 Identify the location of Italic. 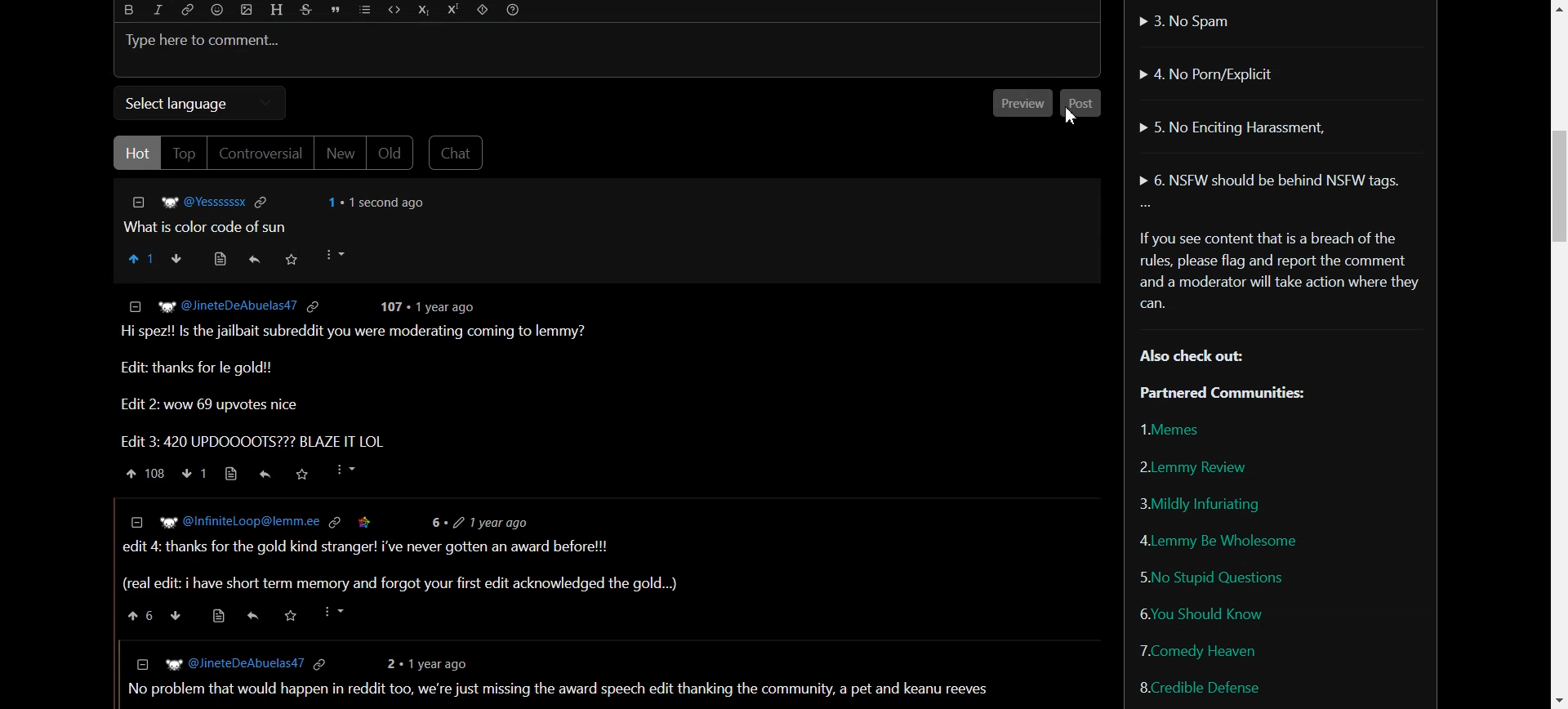
(158, 10).